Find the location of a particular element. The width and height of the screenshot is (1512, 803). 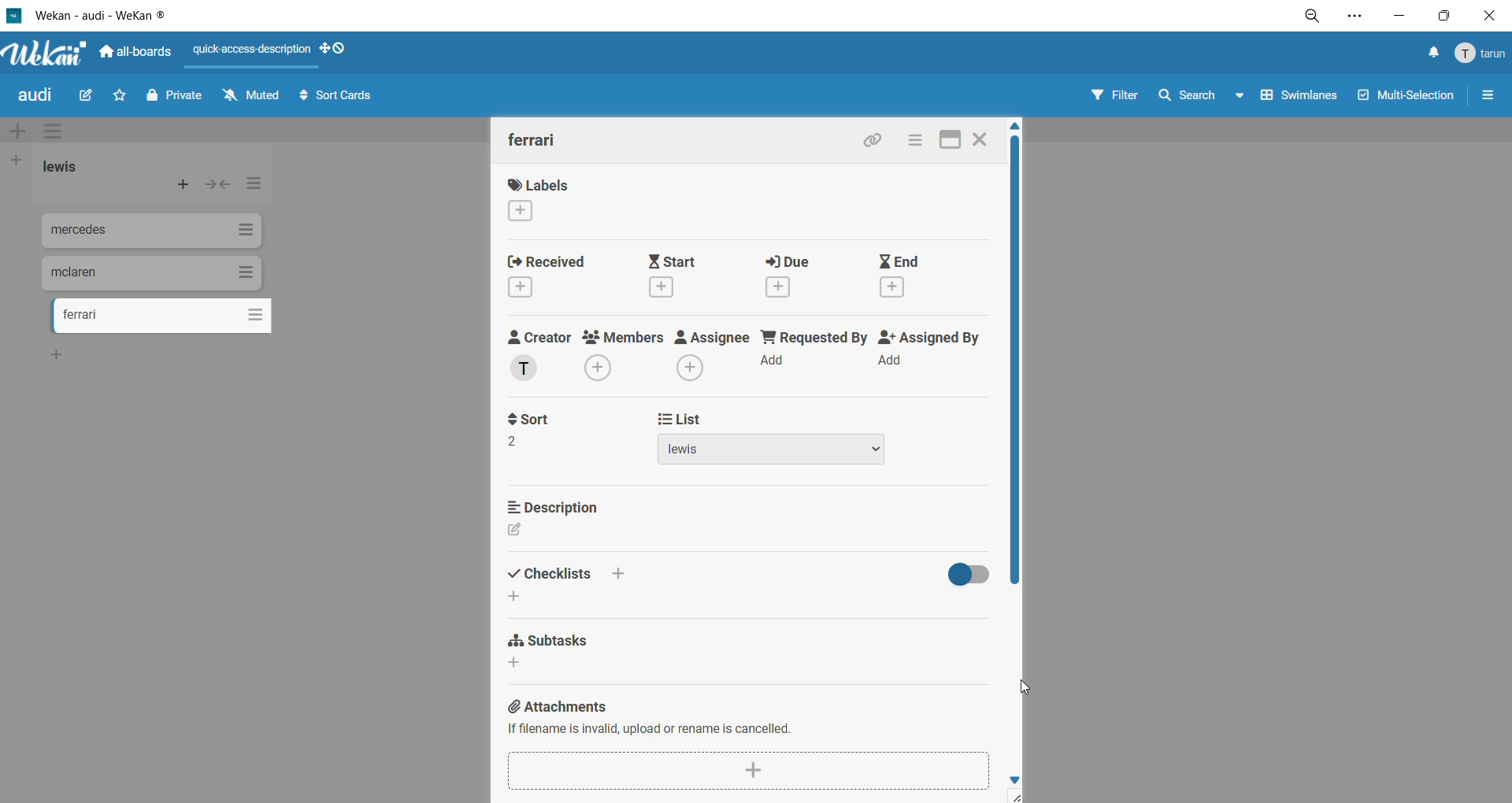

settings is located at coordinates (1363, 16).